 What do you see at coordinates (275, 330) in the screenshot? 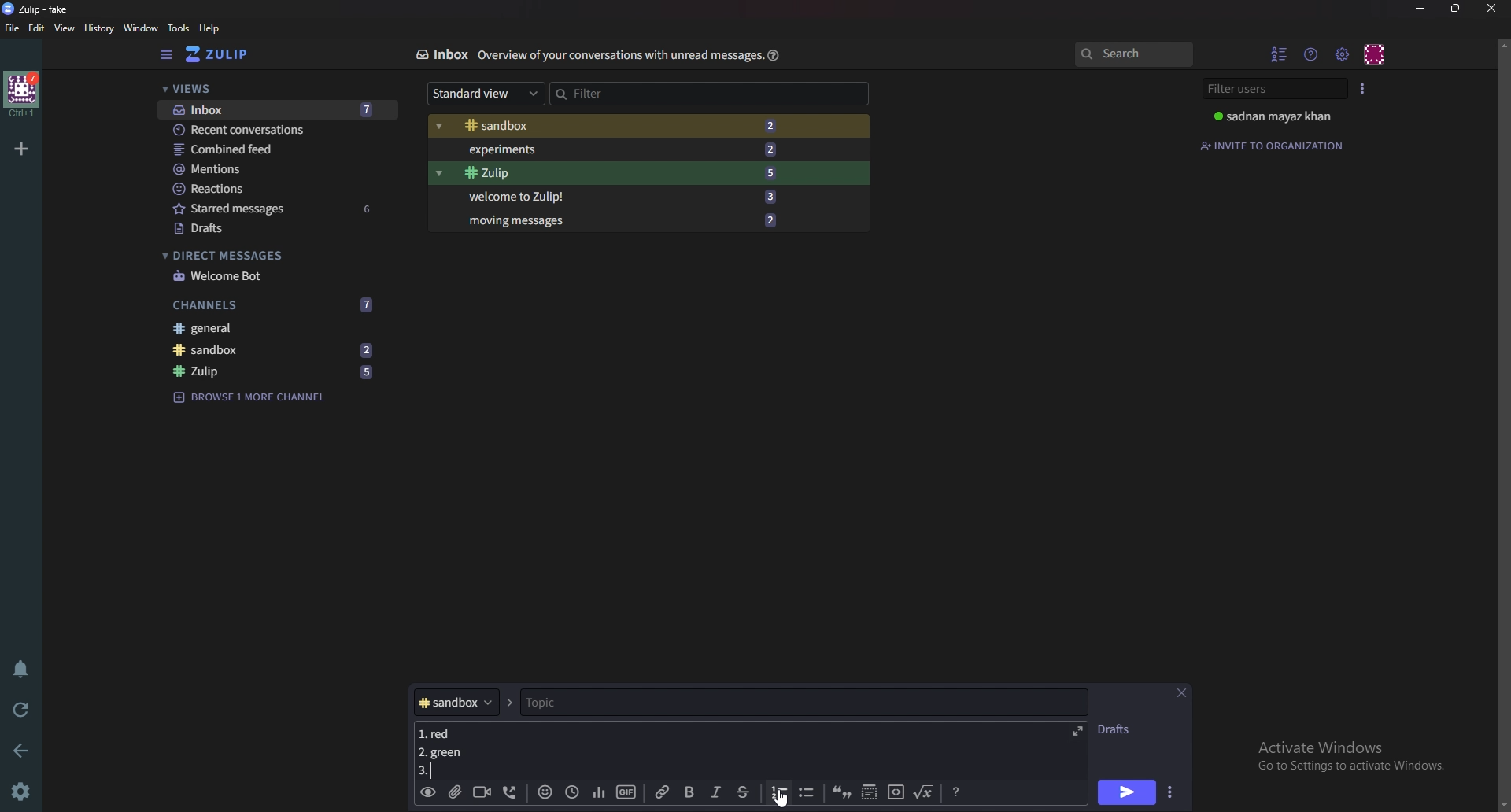
I see `General` at bounding box center [275, 330].